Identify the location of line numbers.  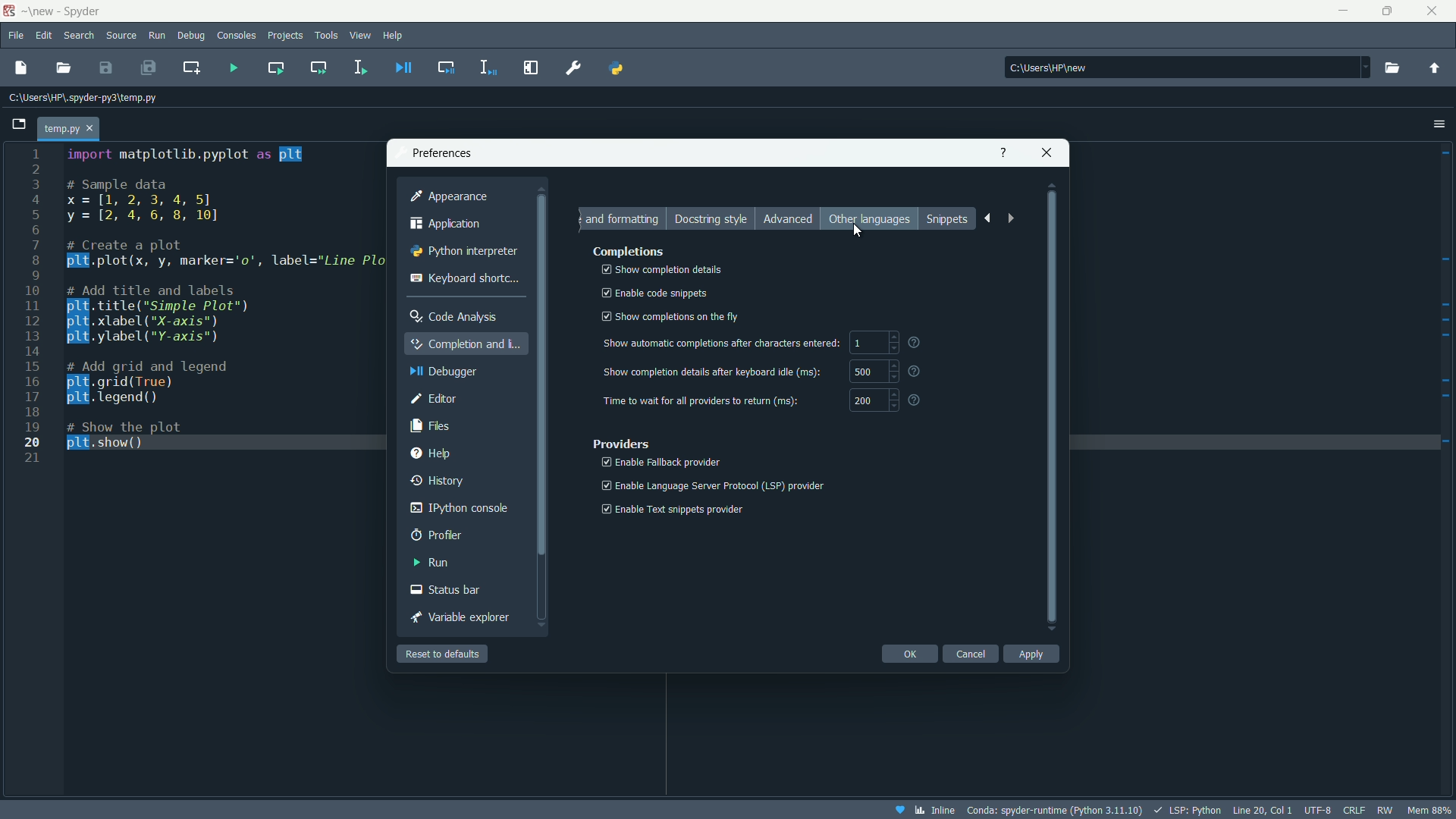
(33, 306).